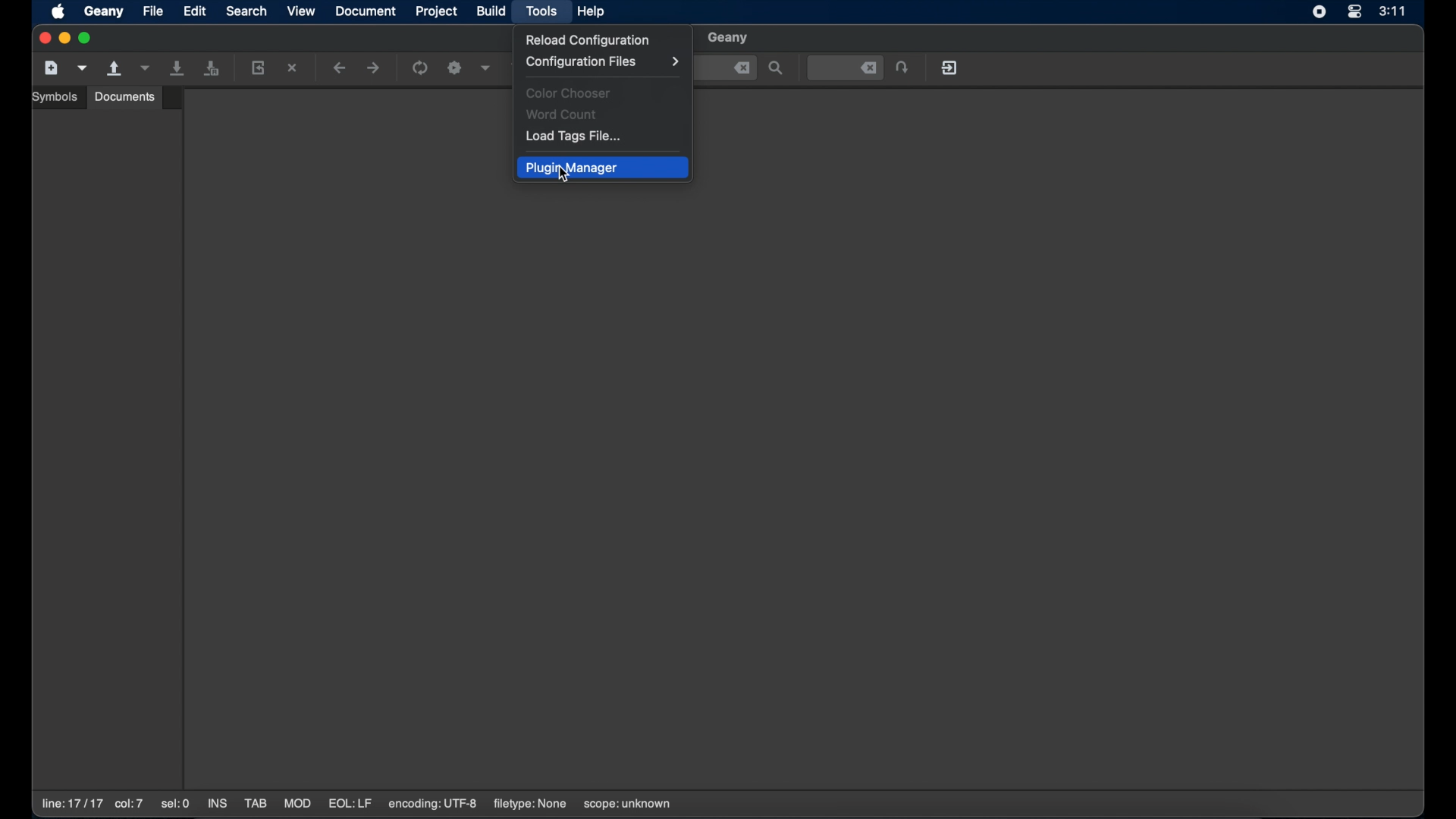  I want to click on build the current file, so click(457, 69).